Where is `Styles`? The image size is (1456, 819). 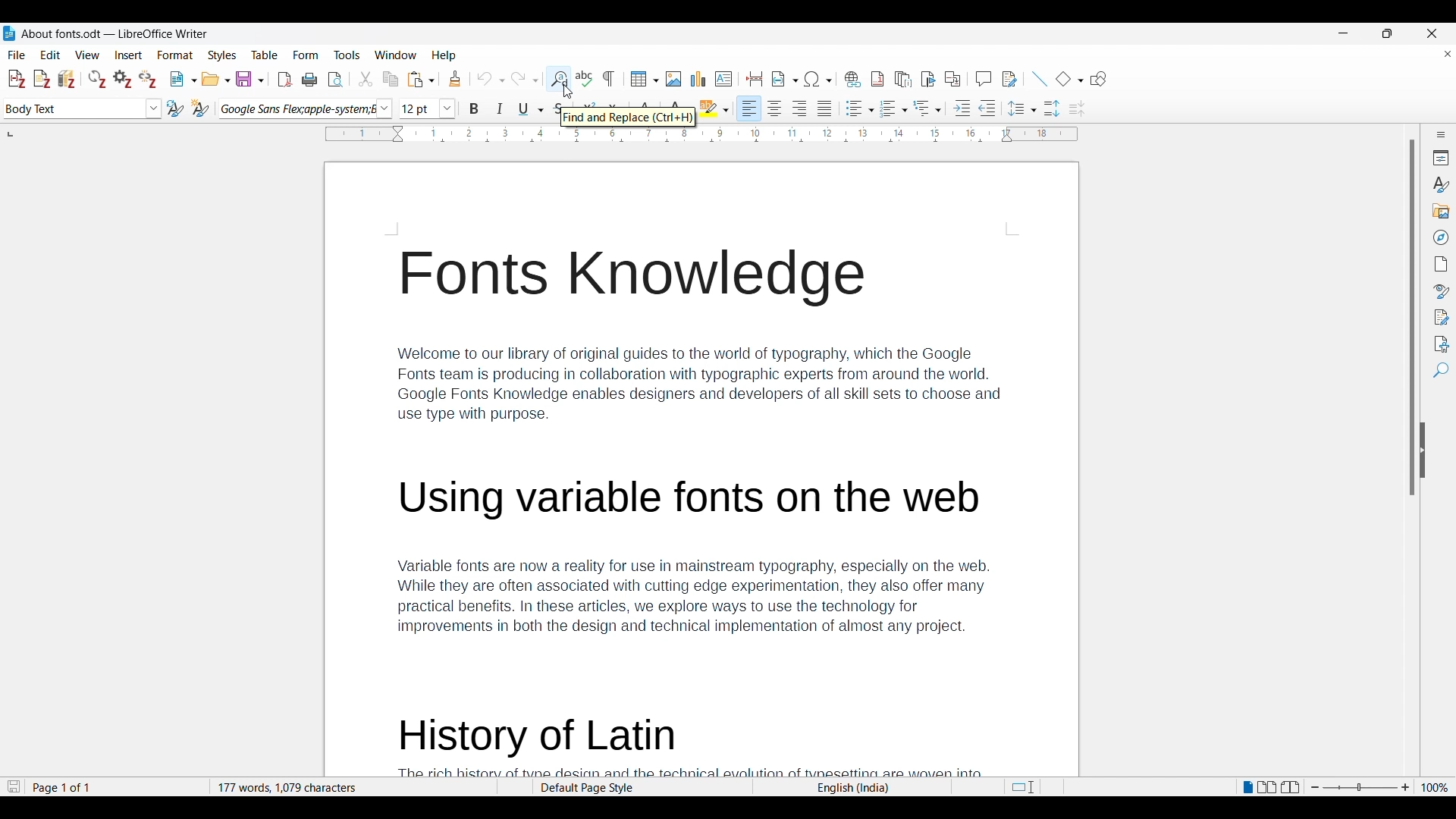 Styles is located at coordinates (1439, 184).